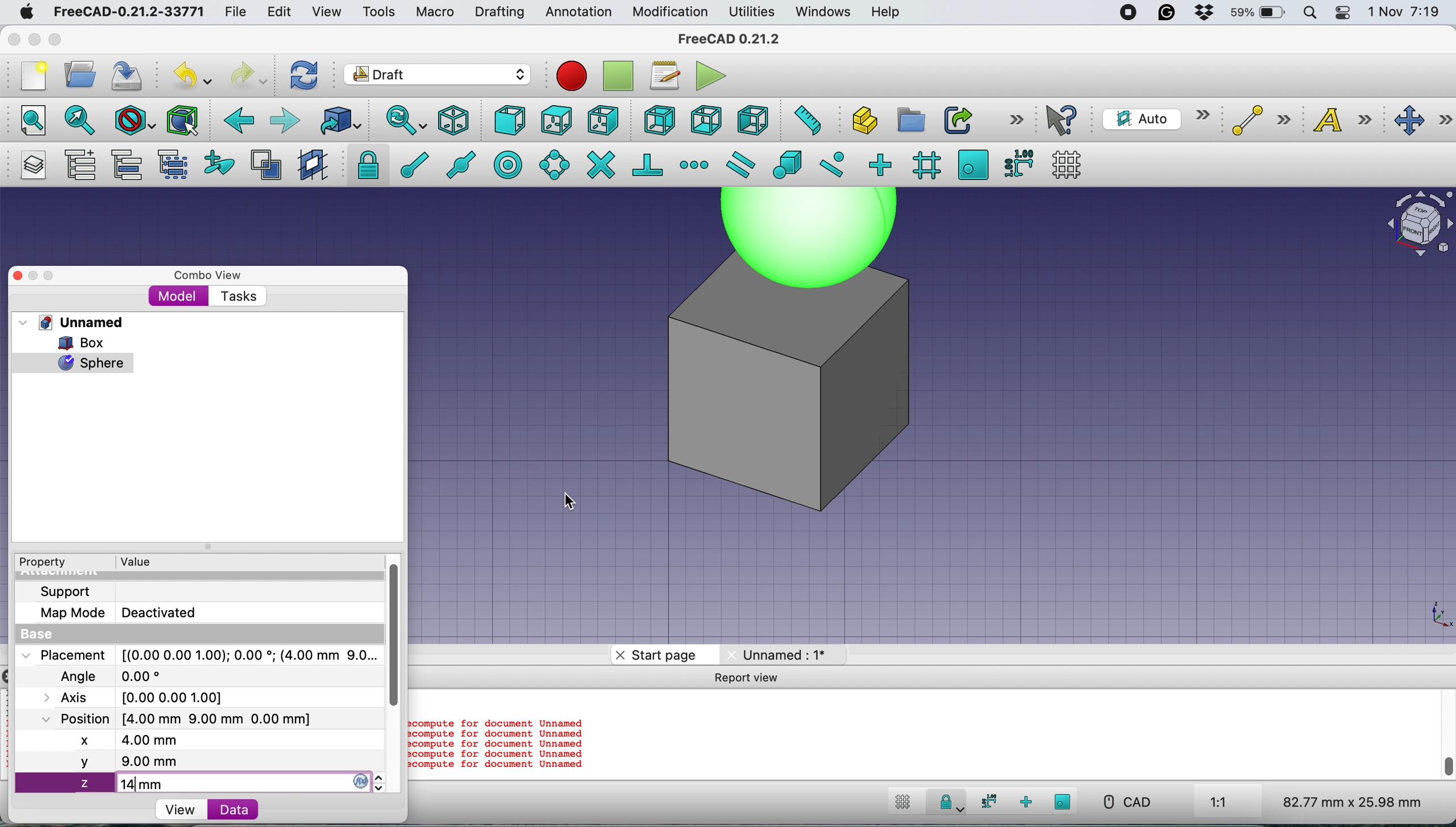 This screenshot has width=1456, height=827. I want to click on isometric, so click(458, 120).